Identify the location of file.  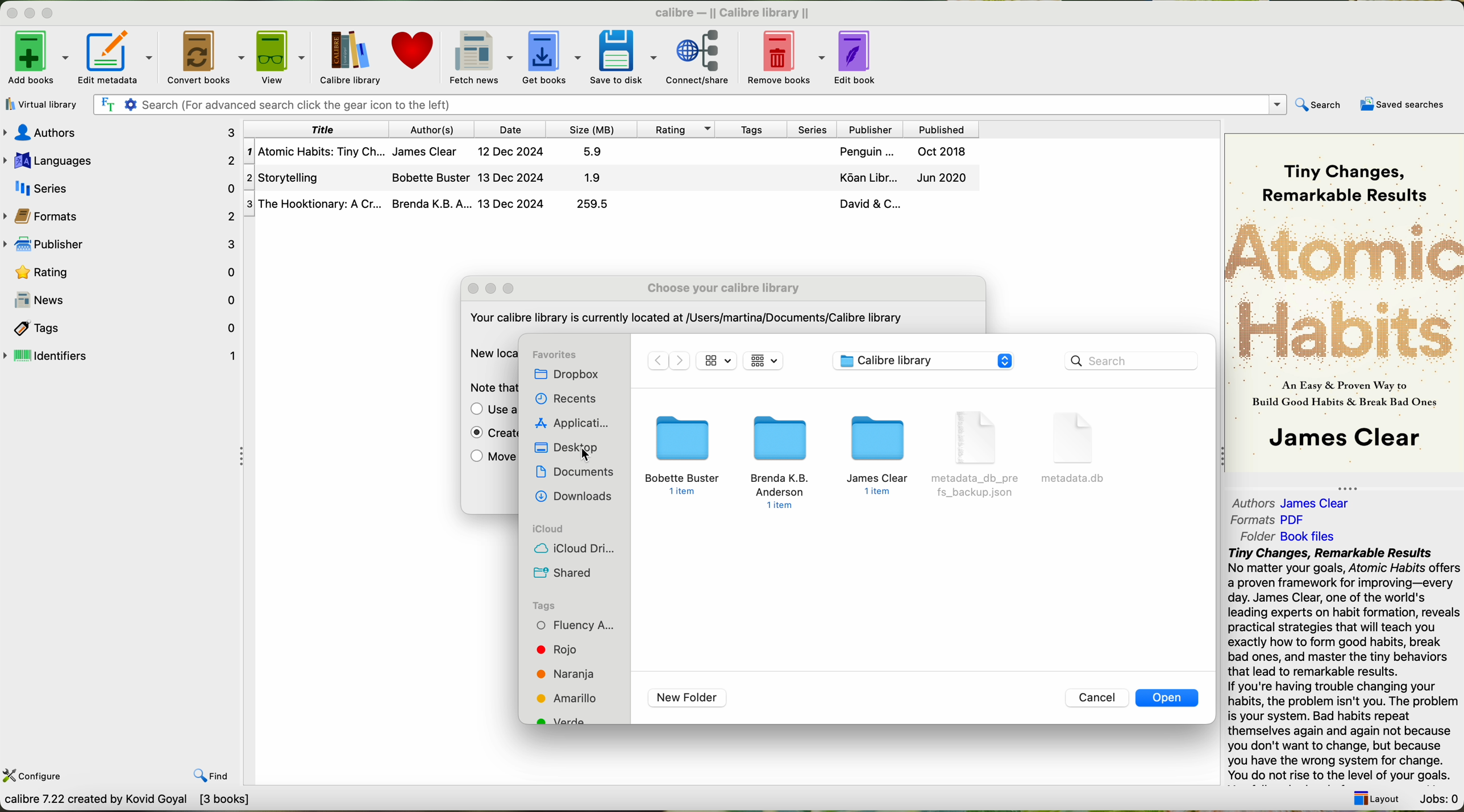
(1077, 447).